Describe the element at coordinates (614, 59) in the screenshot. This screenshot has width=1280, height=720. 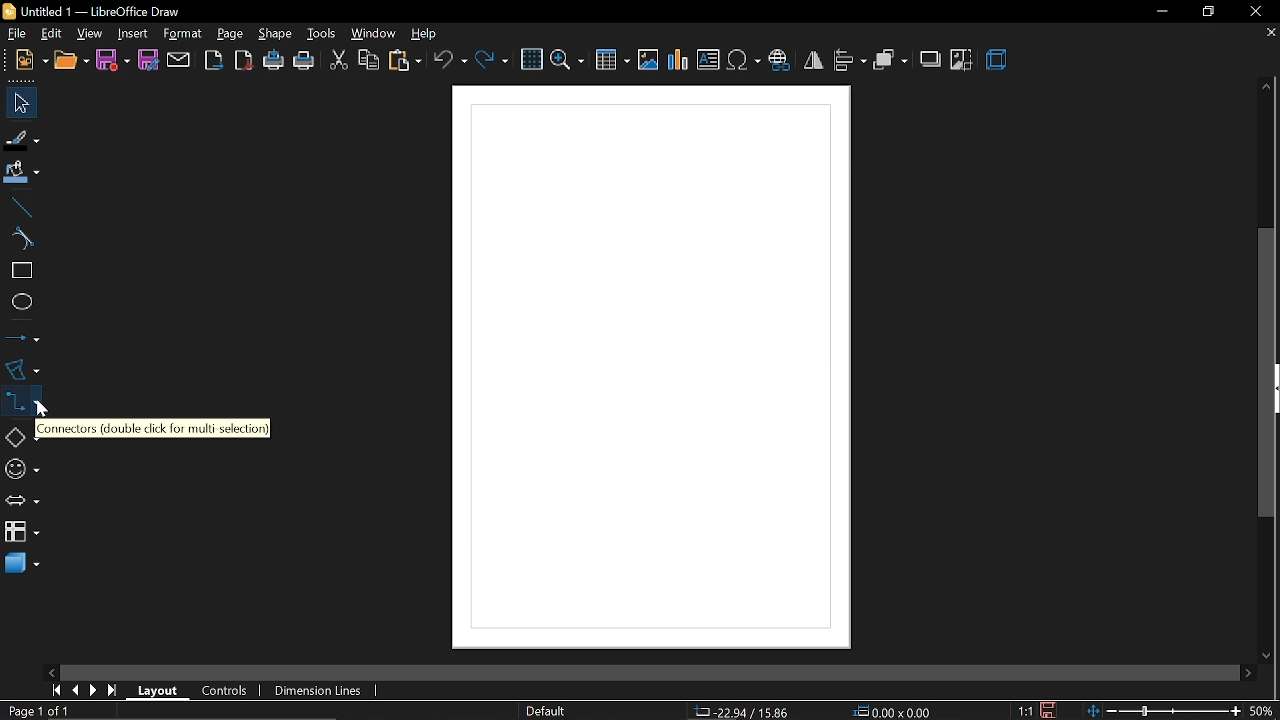
I see `Insert table` at that location.